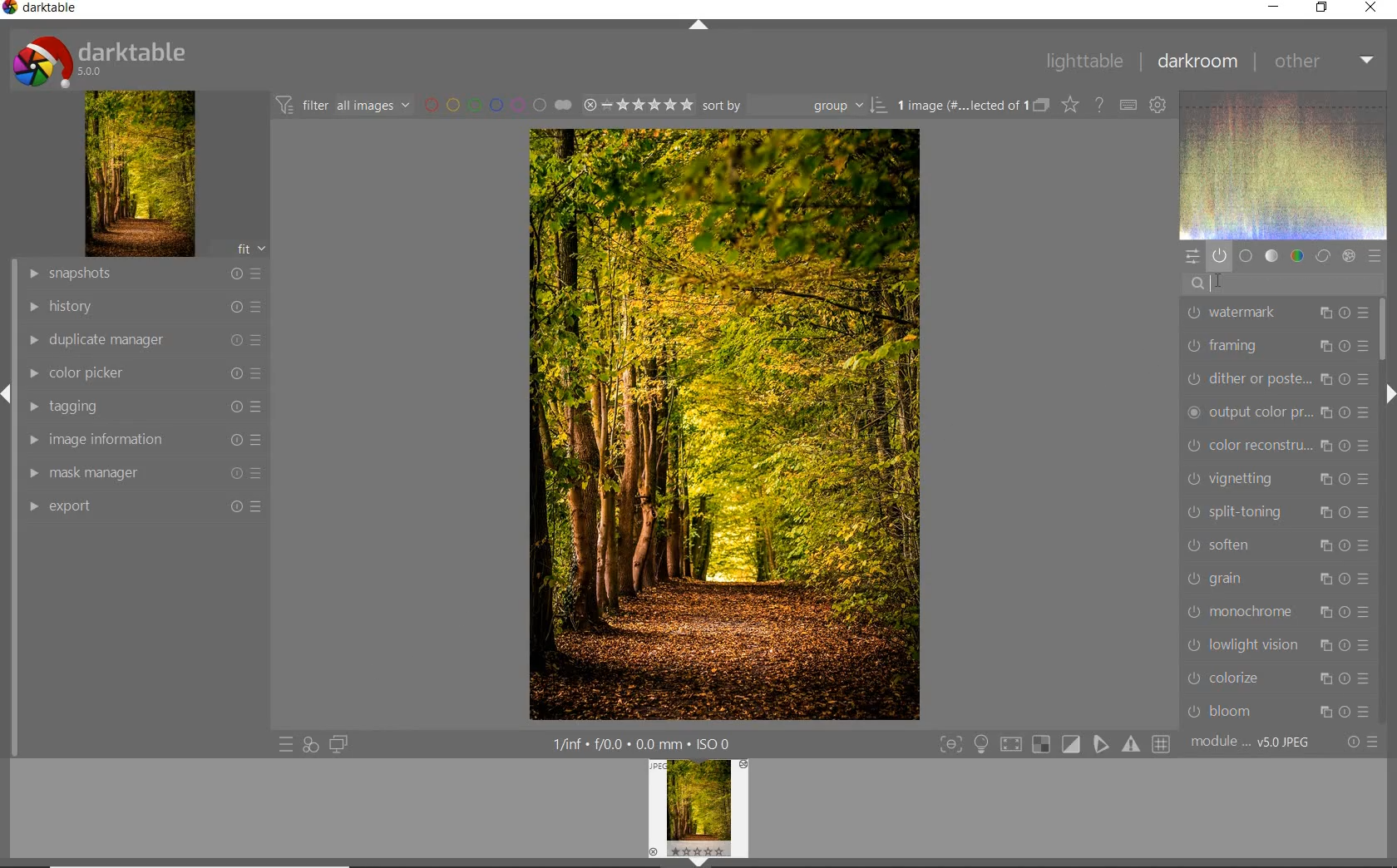  I want to click on toggle modes, so click(1051, 744).